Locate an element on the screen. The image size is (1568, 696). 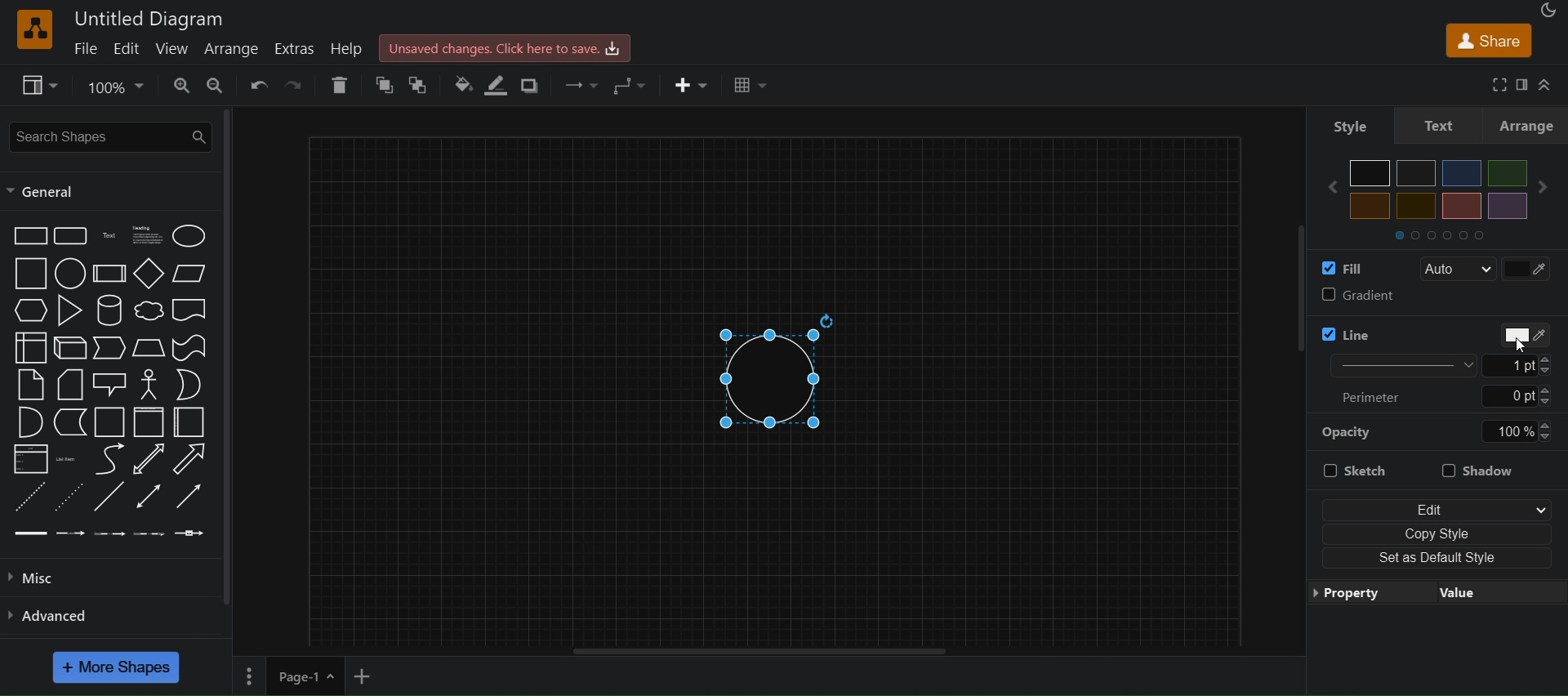
process is located at coordinates (109, 274).